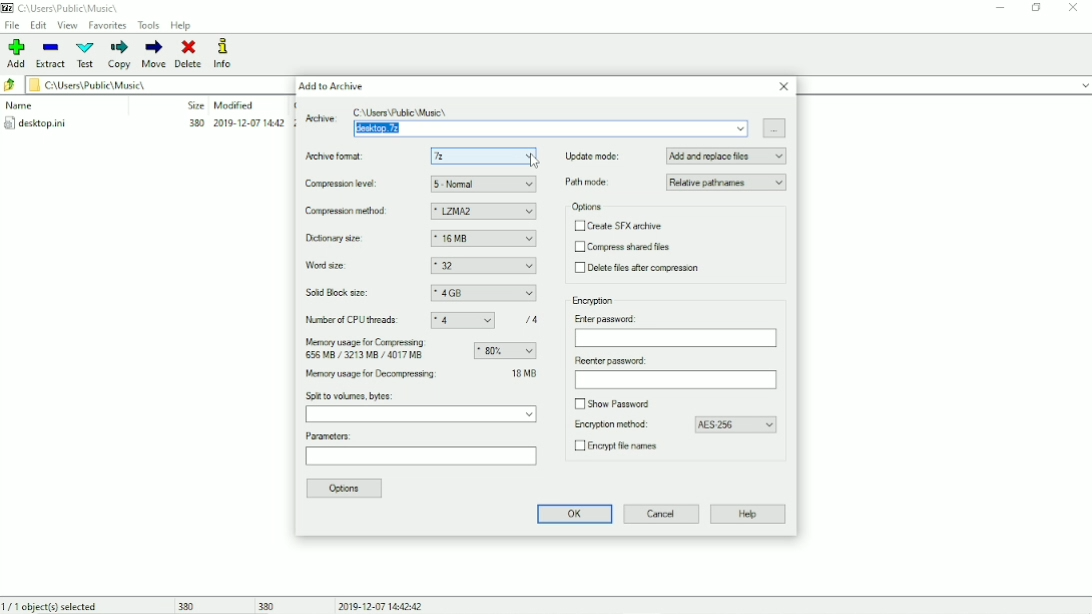 The image size is (1092, 614). Describe the element at coordinates (534, 161) in the screenshot. I see `cursor` at that location.